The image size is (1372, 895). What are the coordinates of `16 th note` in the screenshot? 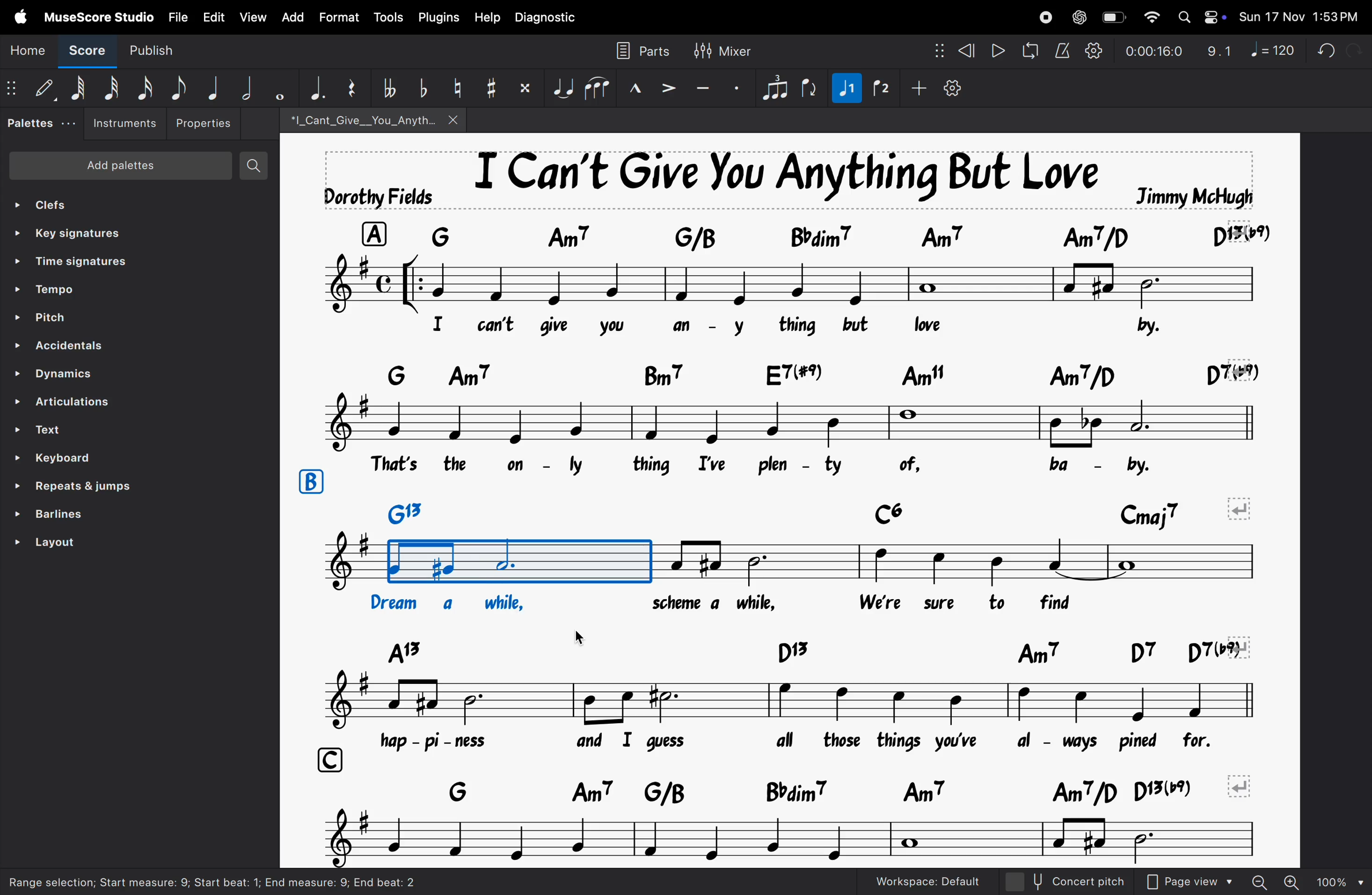 It's located at (145, 89).